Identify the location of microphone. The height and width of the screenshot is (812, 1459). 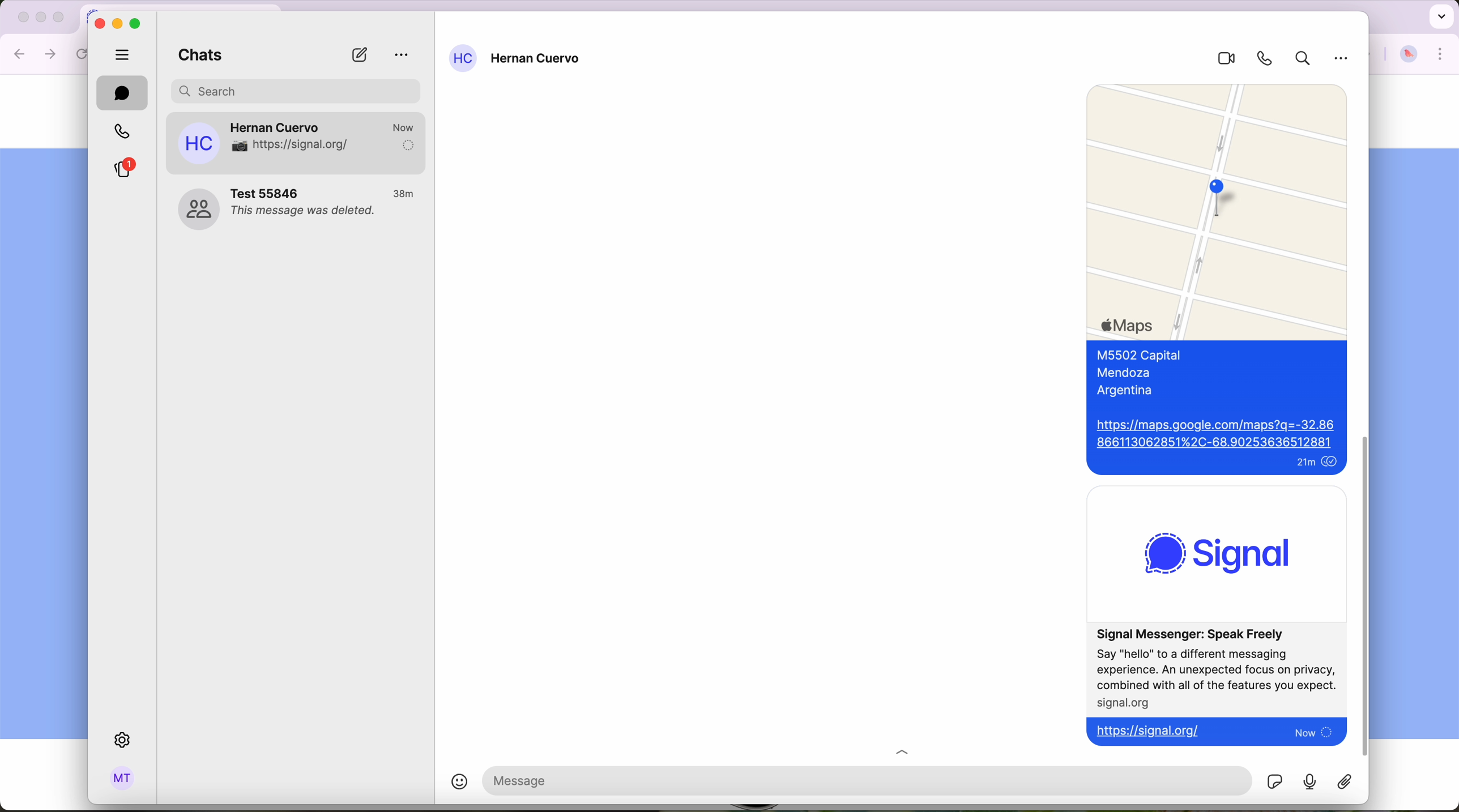
(1311, 781).